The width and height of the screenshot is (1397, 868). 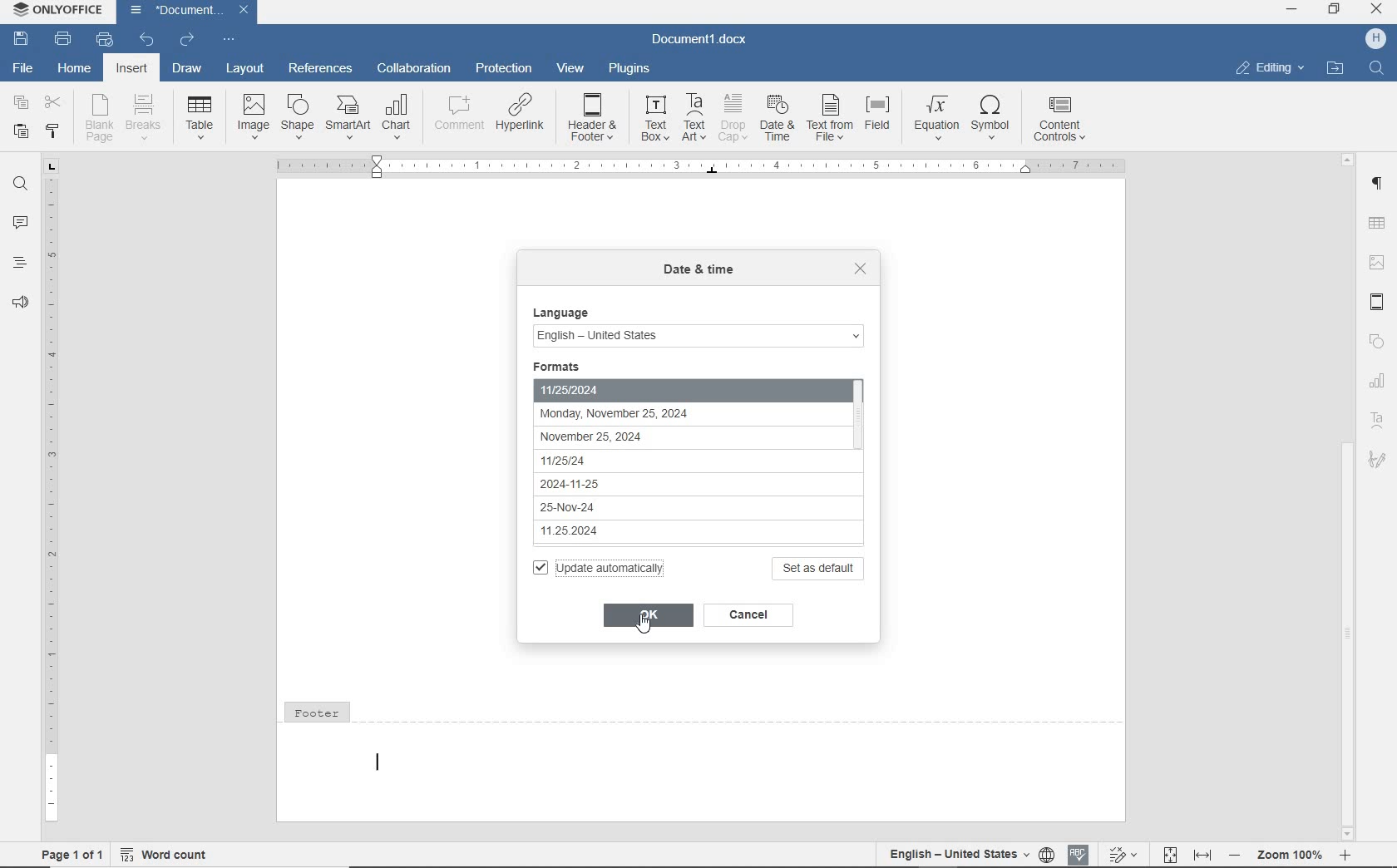 What do you see at coordinates (348, 117) in the screenshot?
I see `SmartArt` at bounding box center [348, 117].